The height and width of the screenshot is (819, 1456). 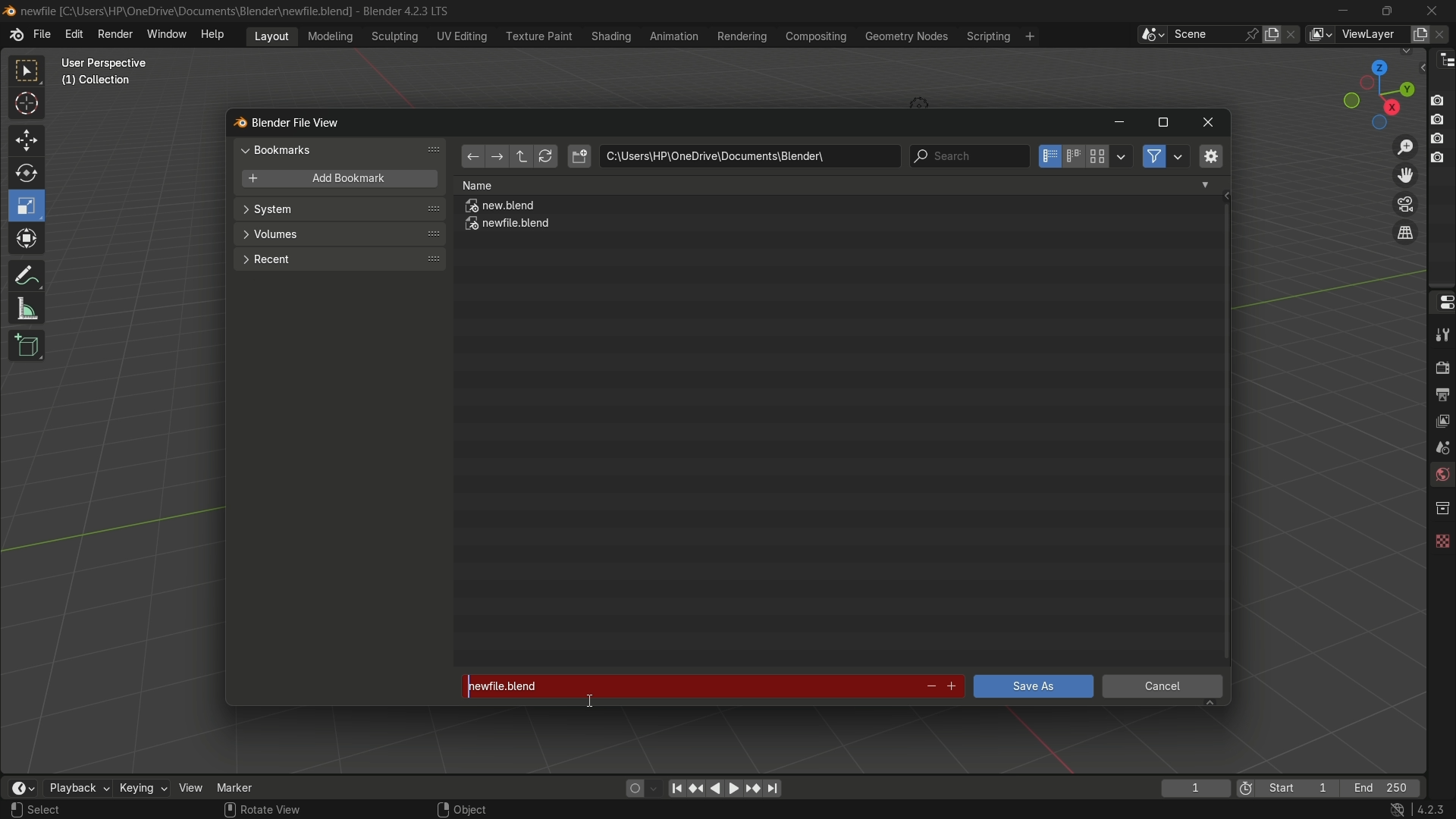 I want to click on refresh, so click(x=545, y=157).